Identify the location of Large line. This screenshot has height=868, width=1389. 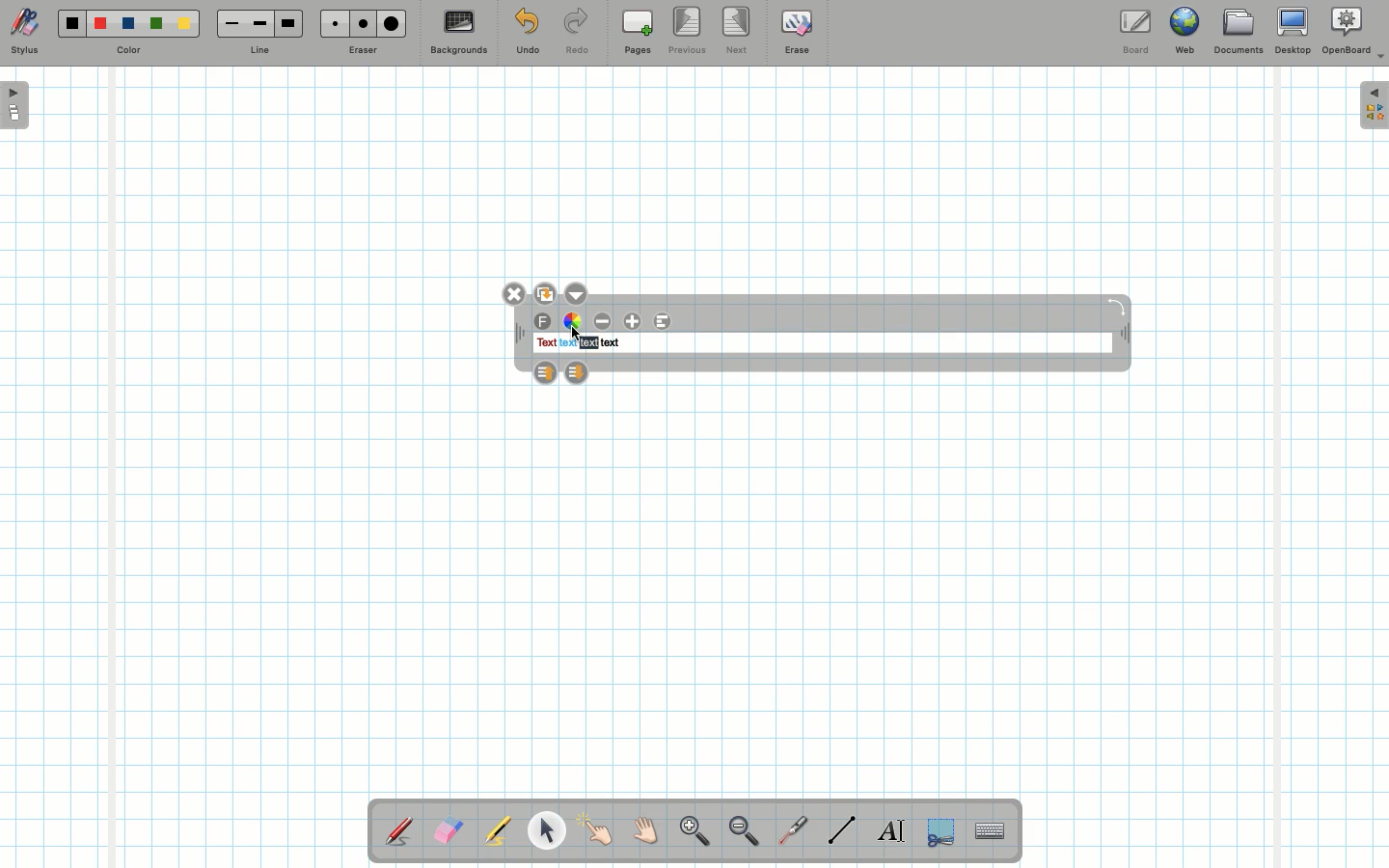
(289, 23).